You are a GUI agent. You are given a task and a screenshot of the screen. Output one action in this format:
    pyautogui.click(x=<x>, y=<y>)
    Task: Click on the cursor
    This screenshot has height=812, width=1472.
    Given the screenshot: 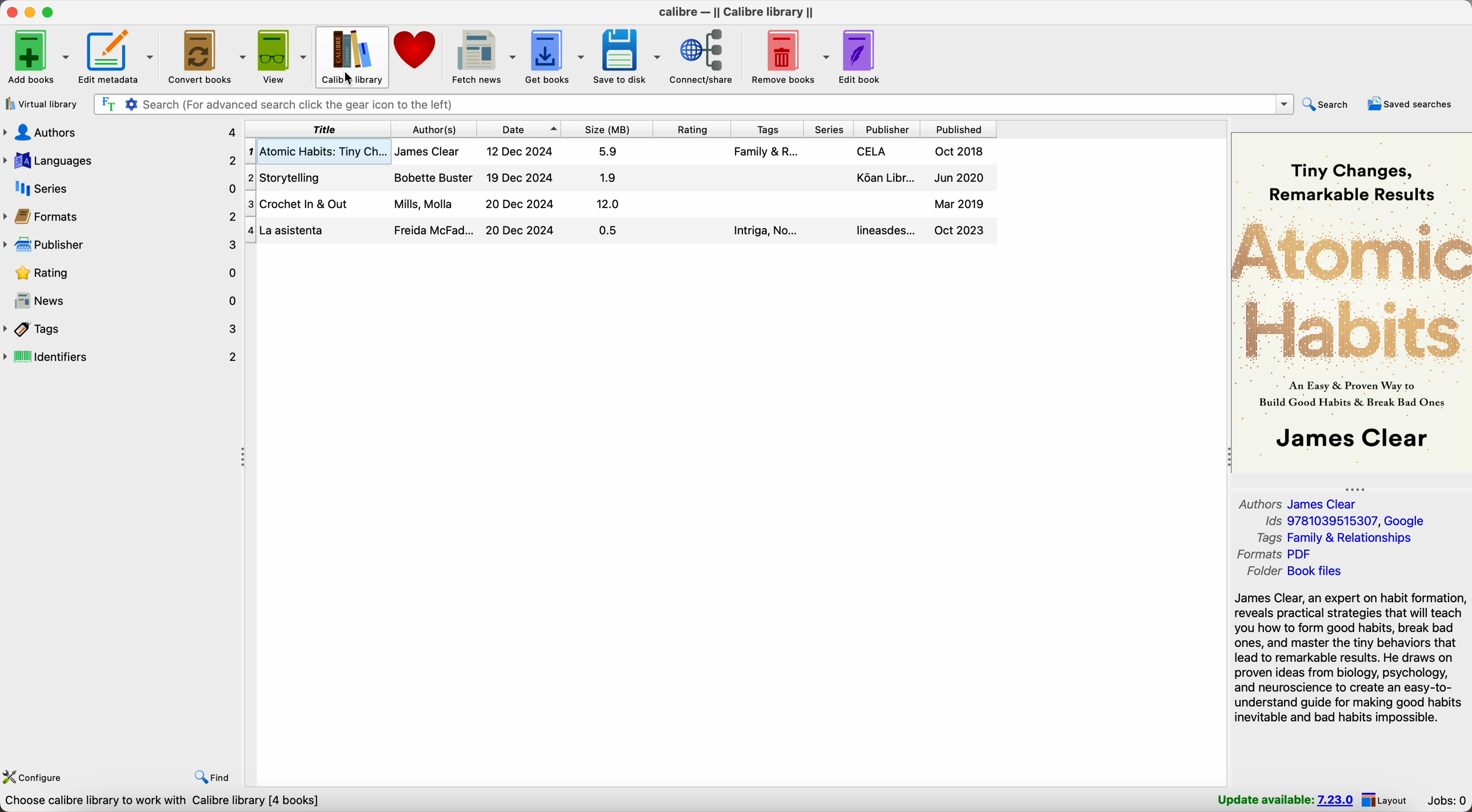 What is the action you would take?
    pyautogui.click(x=350, y=80)
    